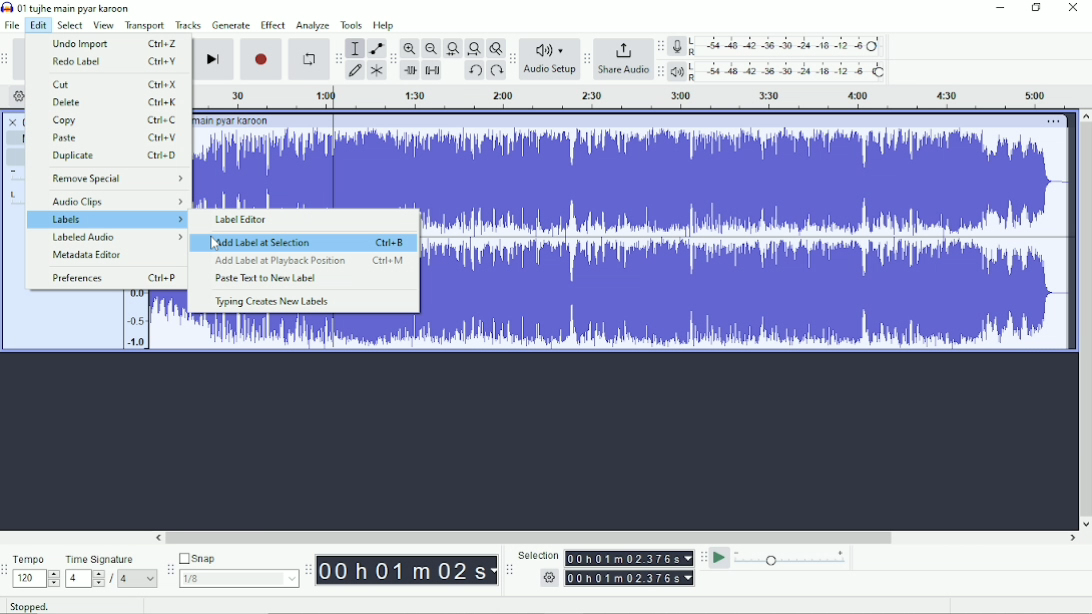 This screenshot has width=1092, height=614. I want to click on Metadata Editor, so click(90, 256).